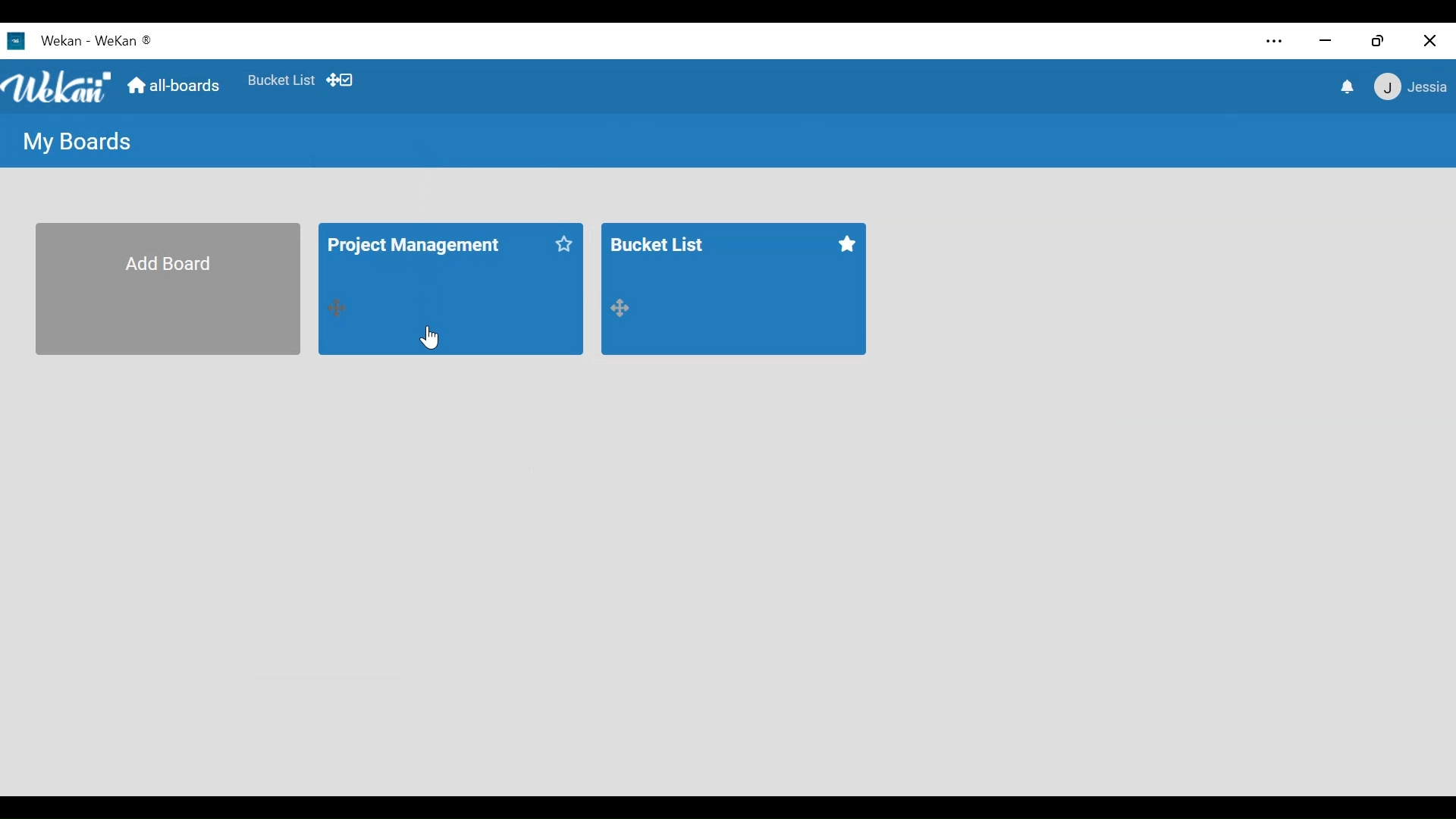  What do you see at coordinates (338, 310) in the screenshot?
I see `Desktop drag handles` at bounding box center [338, 310].